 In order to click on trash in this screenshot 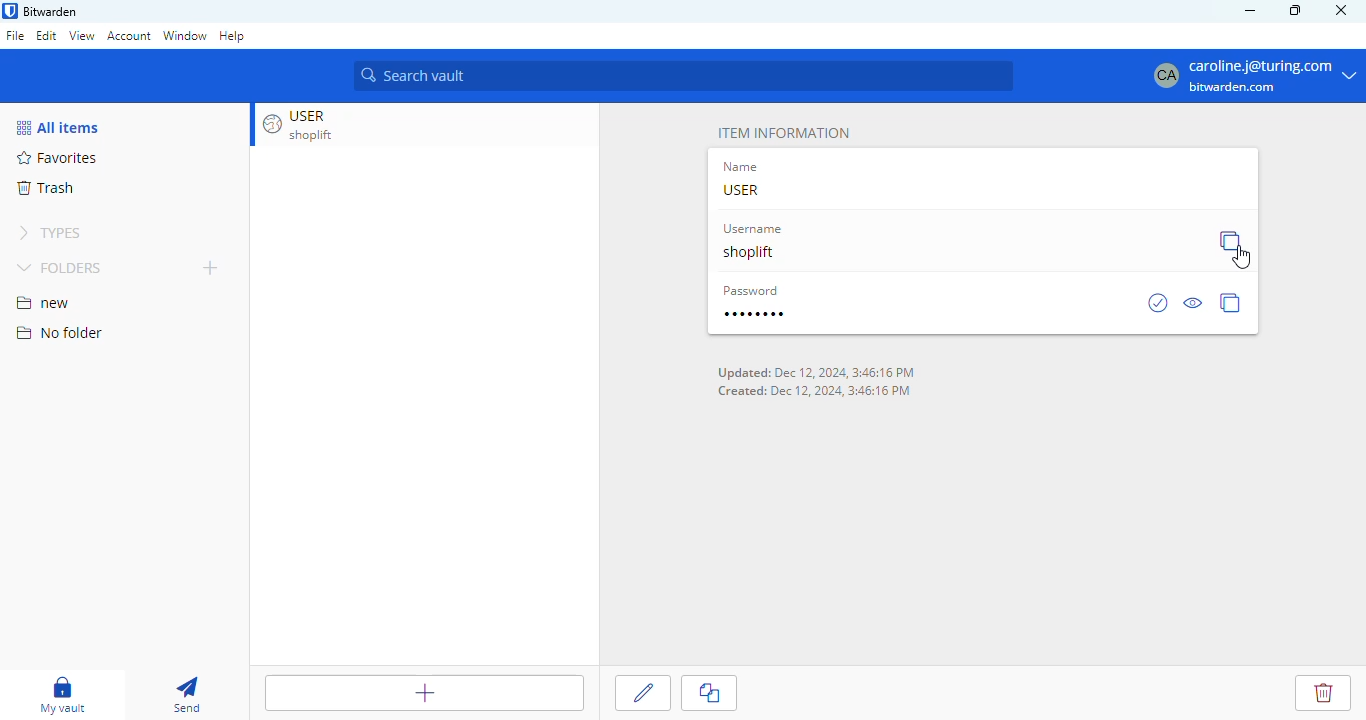, I will do `click(46, 187)`.